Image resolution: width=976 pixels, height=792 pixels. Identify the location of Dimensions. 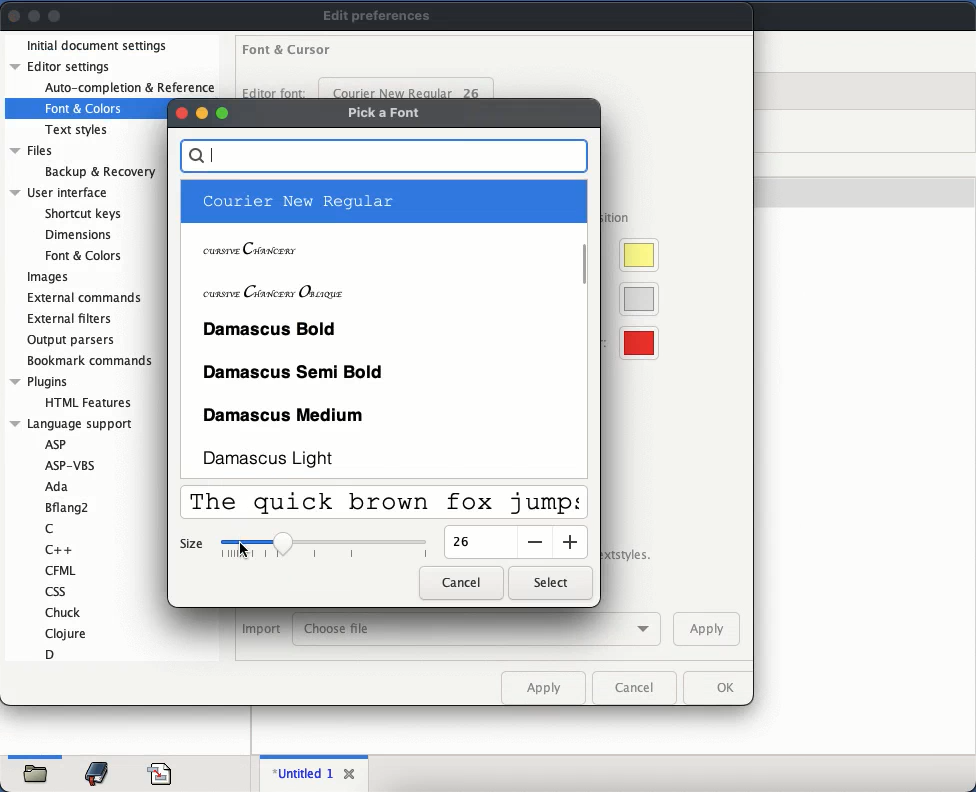
(79, 235).